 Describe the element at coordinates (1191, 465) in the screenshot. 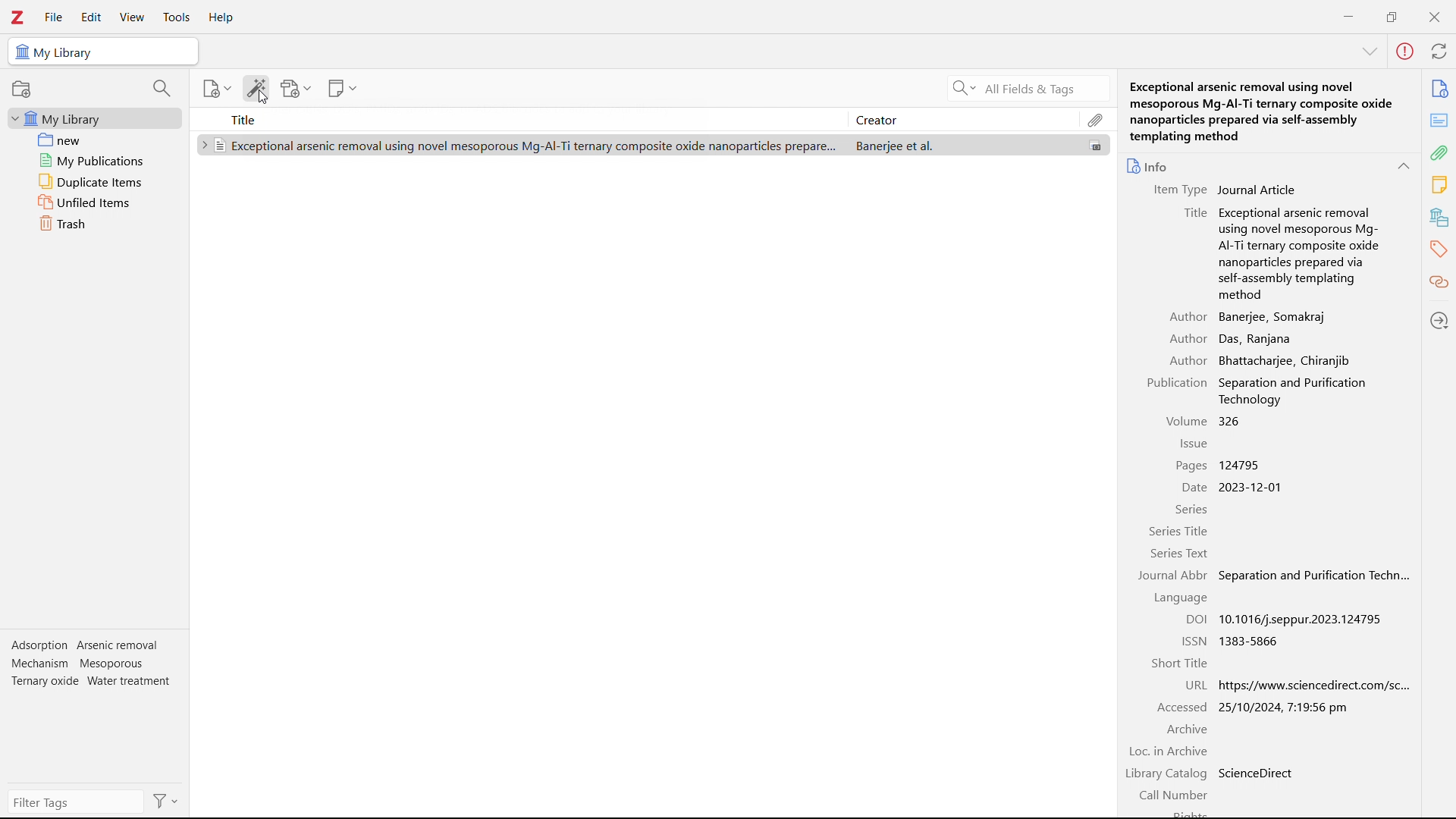

I see `pages` at that location.